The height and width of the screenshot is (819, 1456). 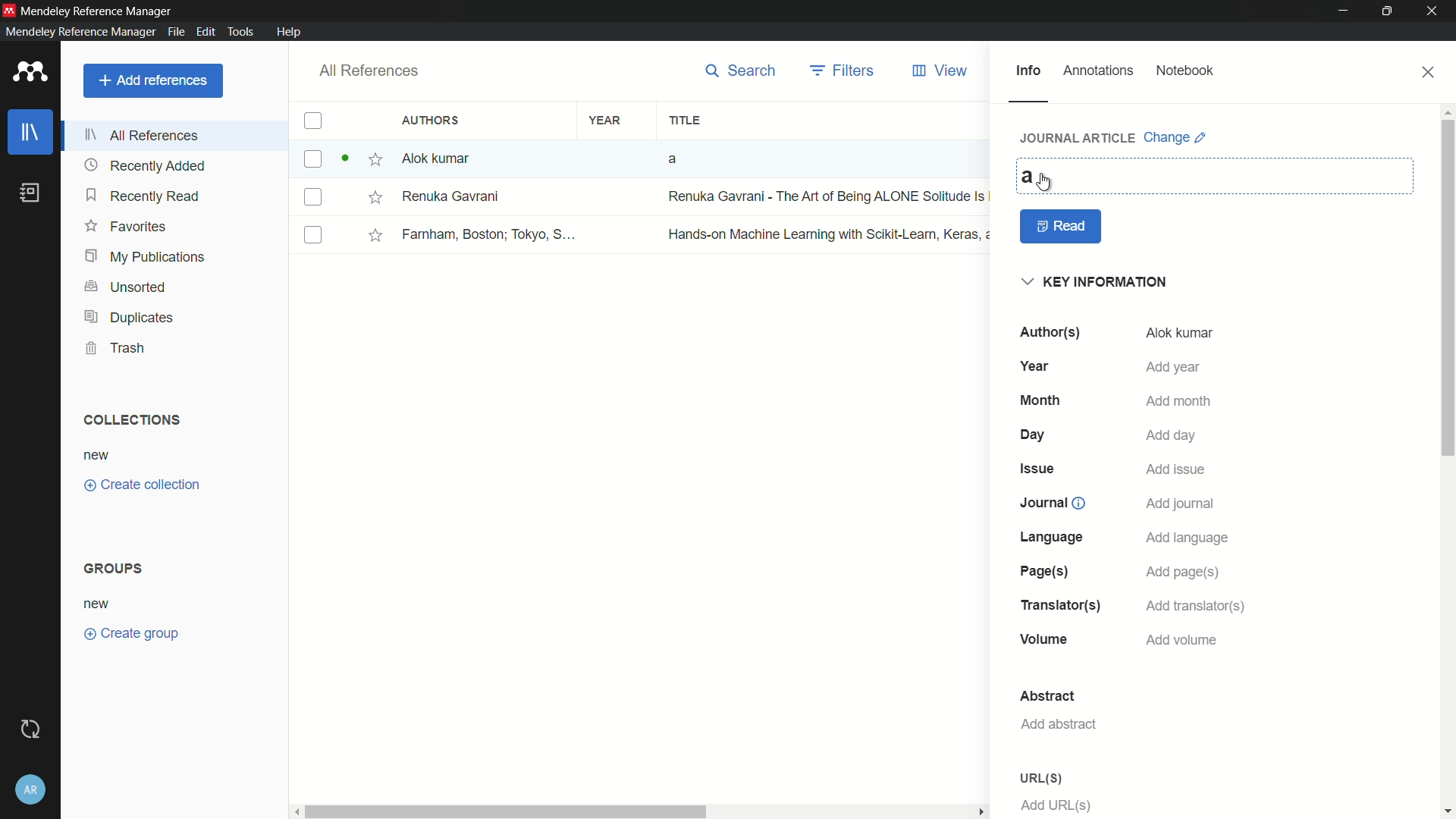 What do you see at coordinates (1447, 460) in the screenshot?
I see `vertical scrollbar` at bounding box center [1447, 460].